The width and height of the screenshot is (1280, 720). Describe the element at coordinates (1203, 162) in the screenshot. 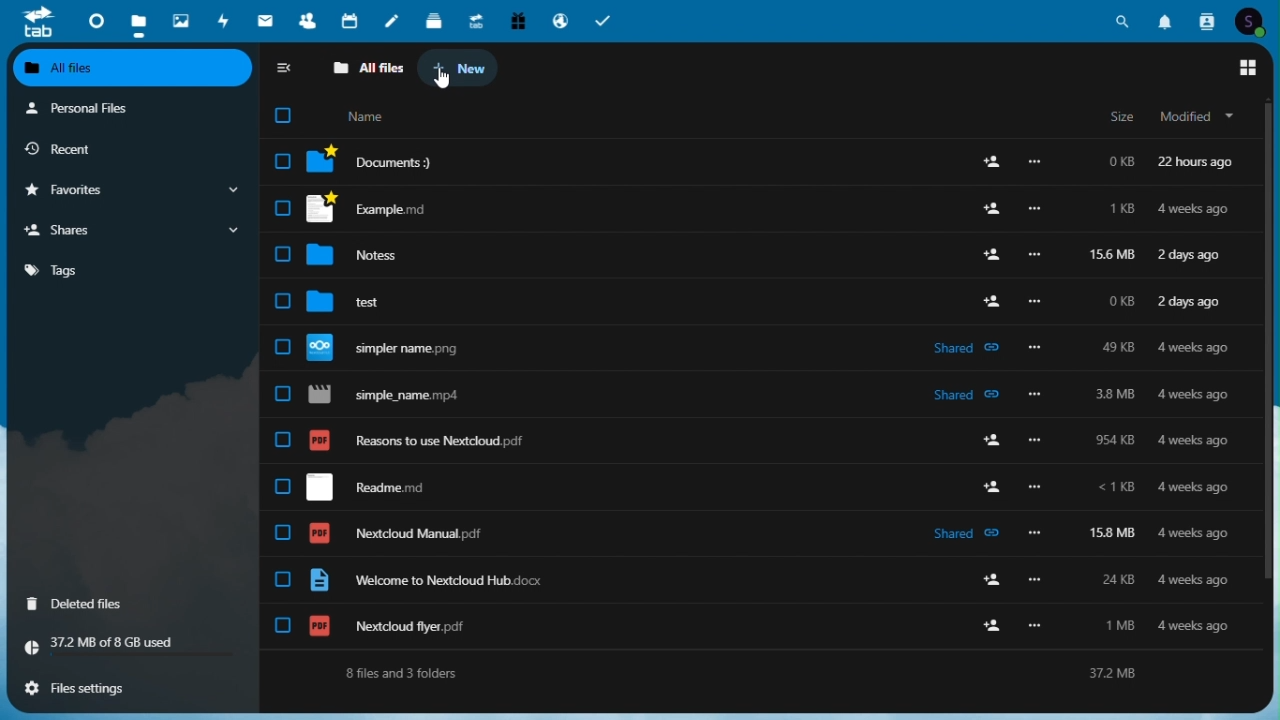

I see `22 hours ago` at that location.